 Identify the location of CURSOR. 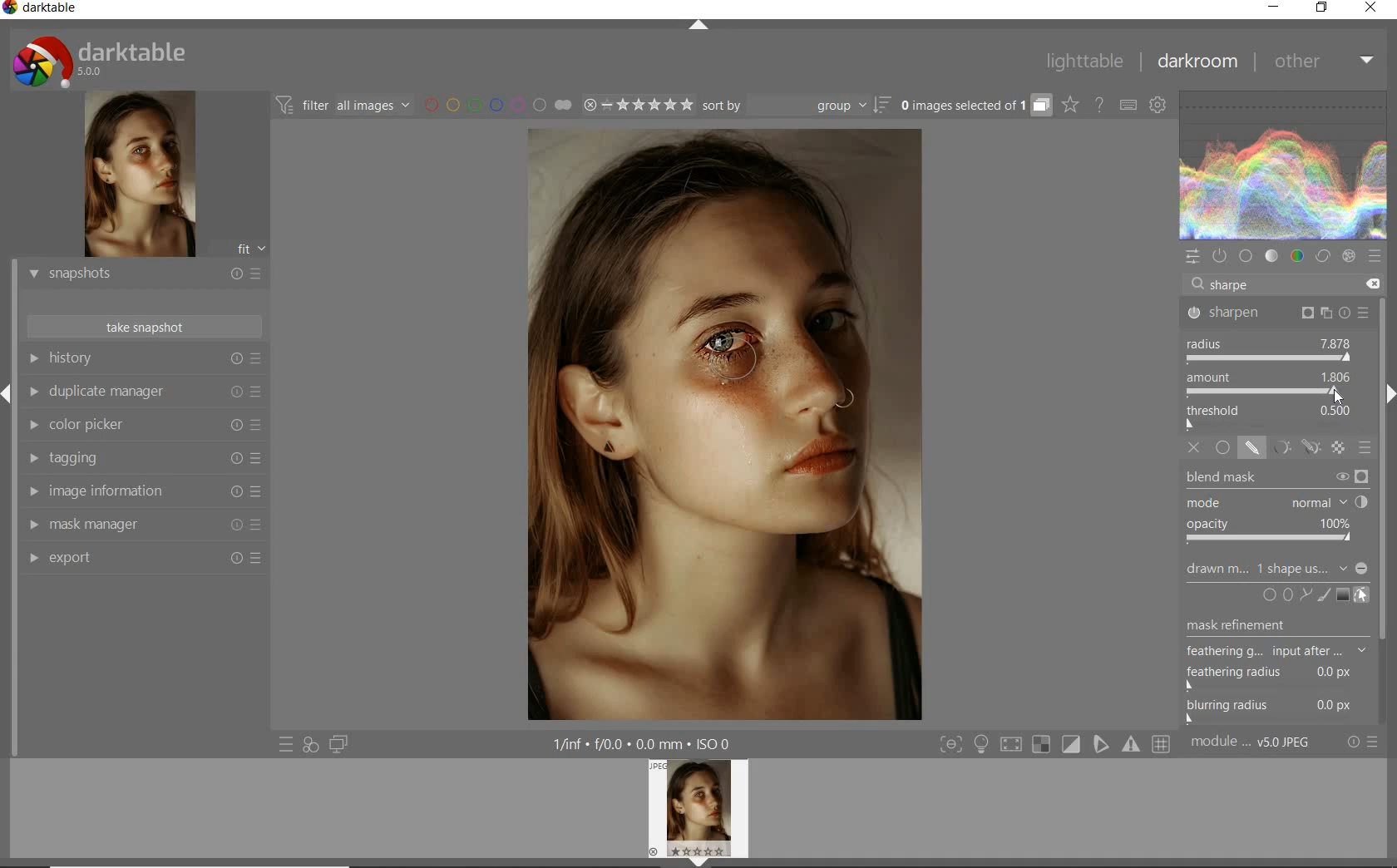
(1338, 397).